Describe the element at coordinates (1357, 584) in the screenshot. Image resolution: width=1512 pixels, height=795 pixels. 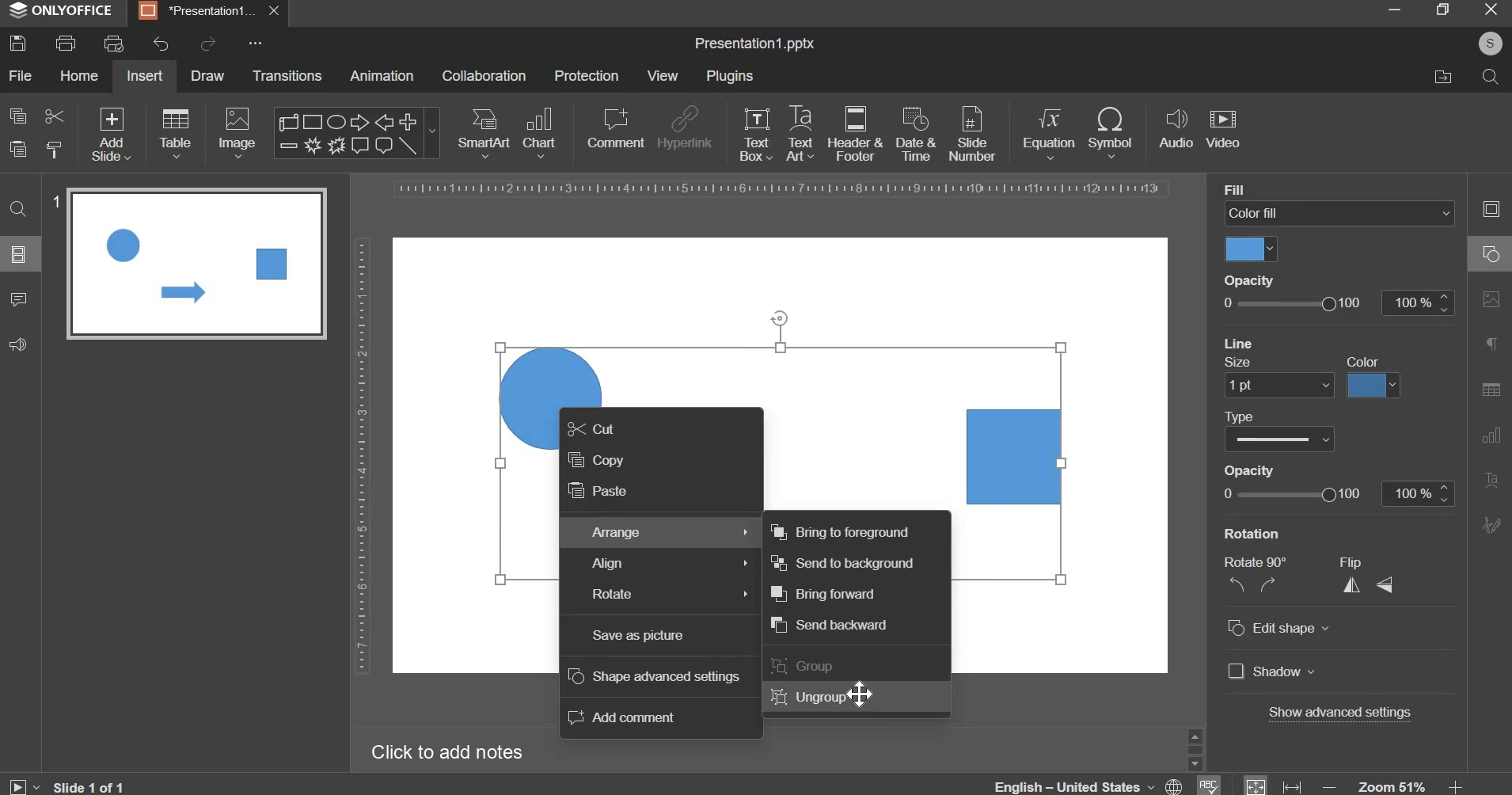
I see `flip horizontal` at that location.